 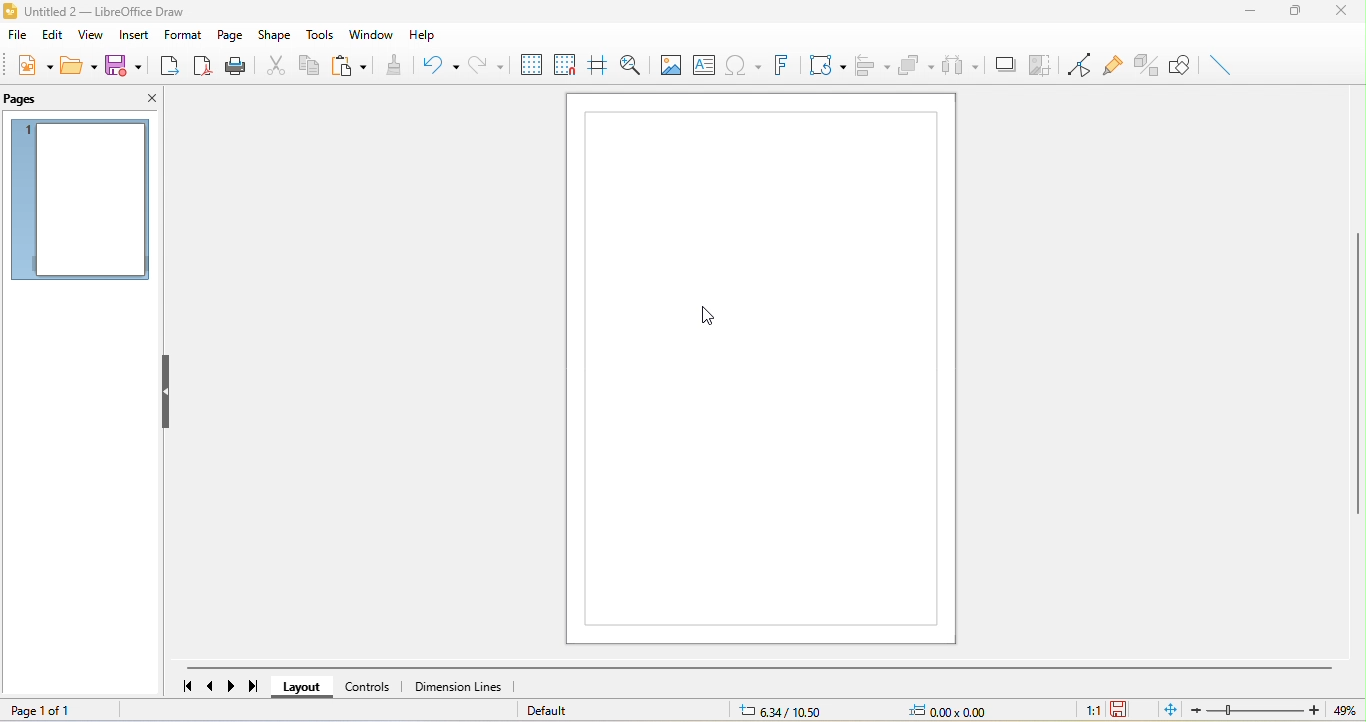 What do you see at coordinates (128, 65) in the screenshot?
I see `save` at bounding box center [128, 65].